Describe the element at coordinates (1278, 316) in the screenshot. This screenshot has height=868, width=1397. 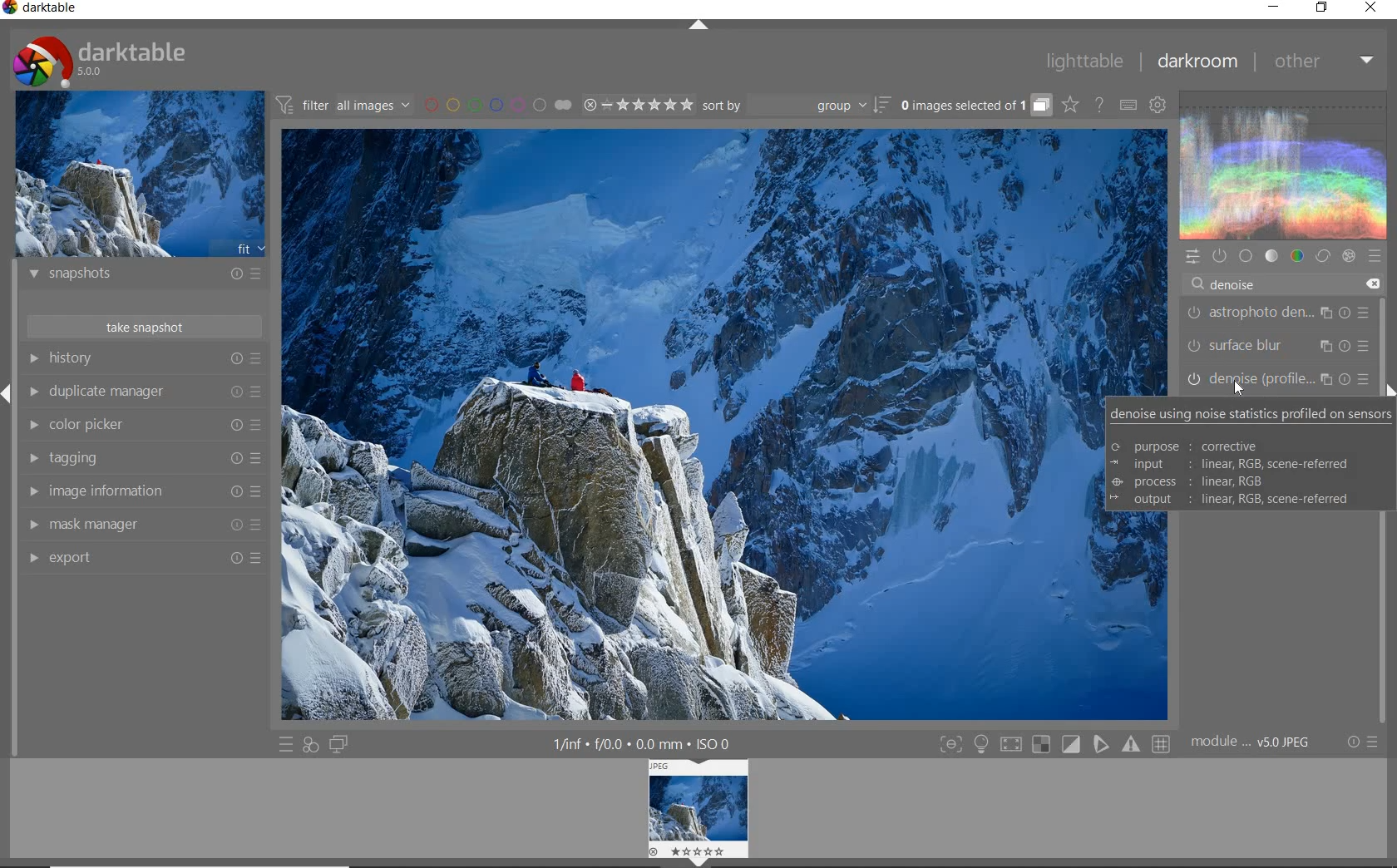
I see `astrophoto density` at that location.